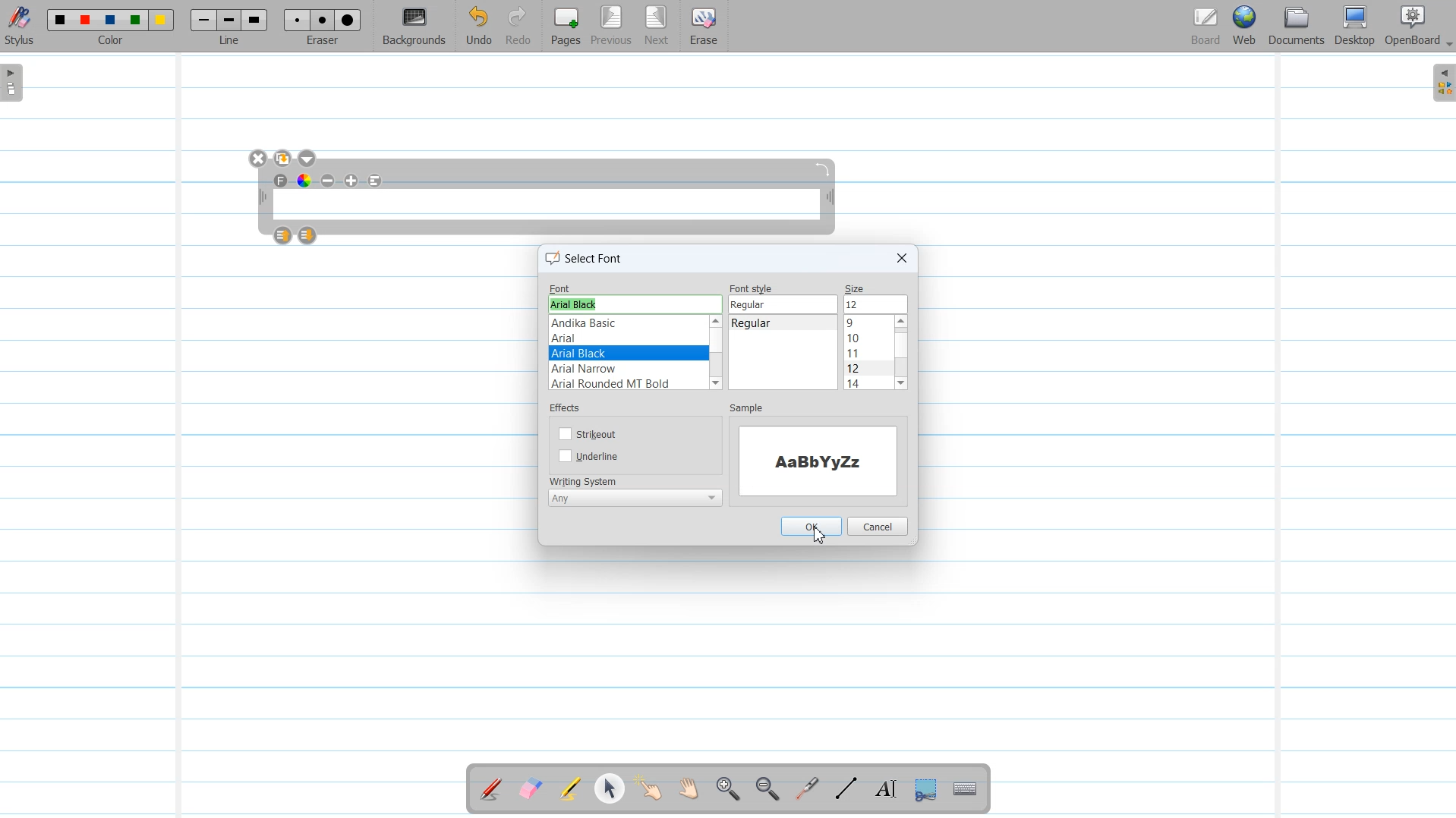 This screenshot has width=1456, height=818. What do you see at coordinates (868, 354) in the screenshot?
I see `Font sizes` at bounding box center [868, 354].